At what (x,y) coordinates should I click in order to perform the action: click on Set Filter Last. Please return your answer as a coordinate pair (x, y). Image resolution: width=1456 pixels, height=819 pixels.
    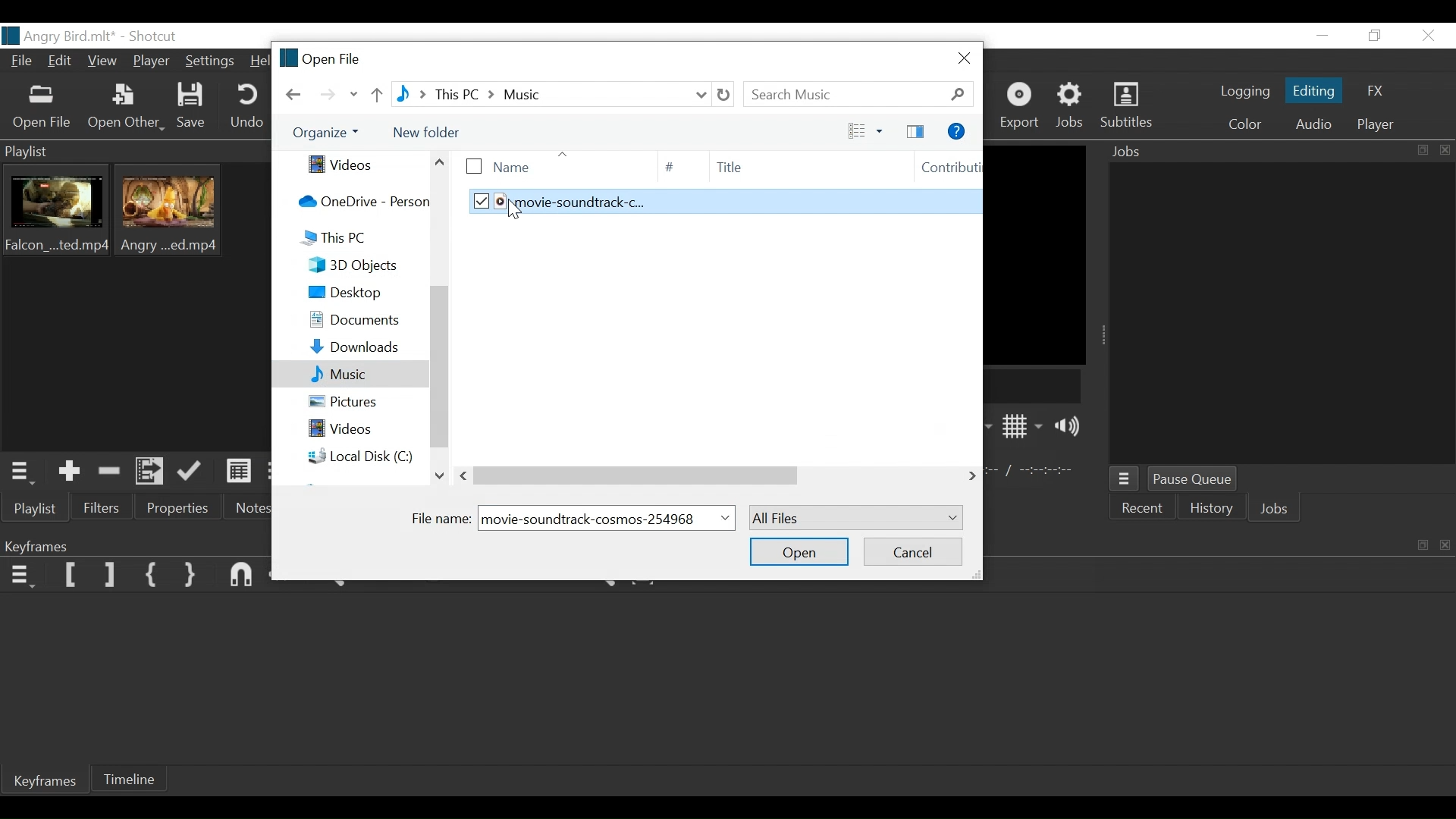
    Looking at the image, I should click on (111, 575).